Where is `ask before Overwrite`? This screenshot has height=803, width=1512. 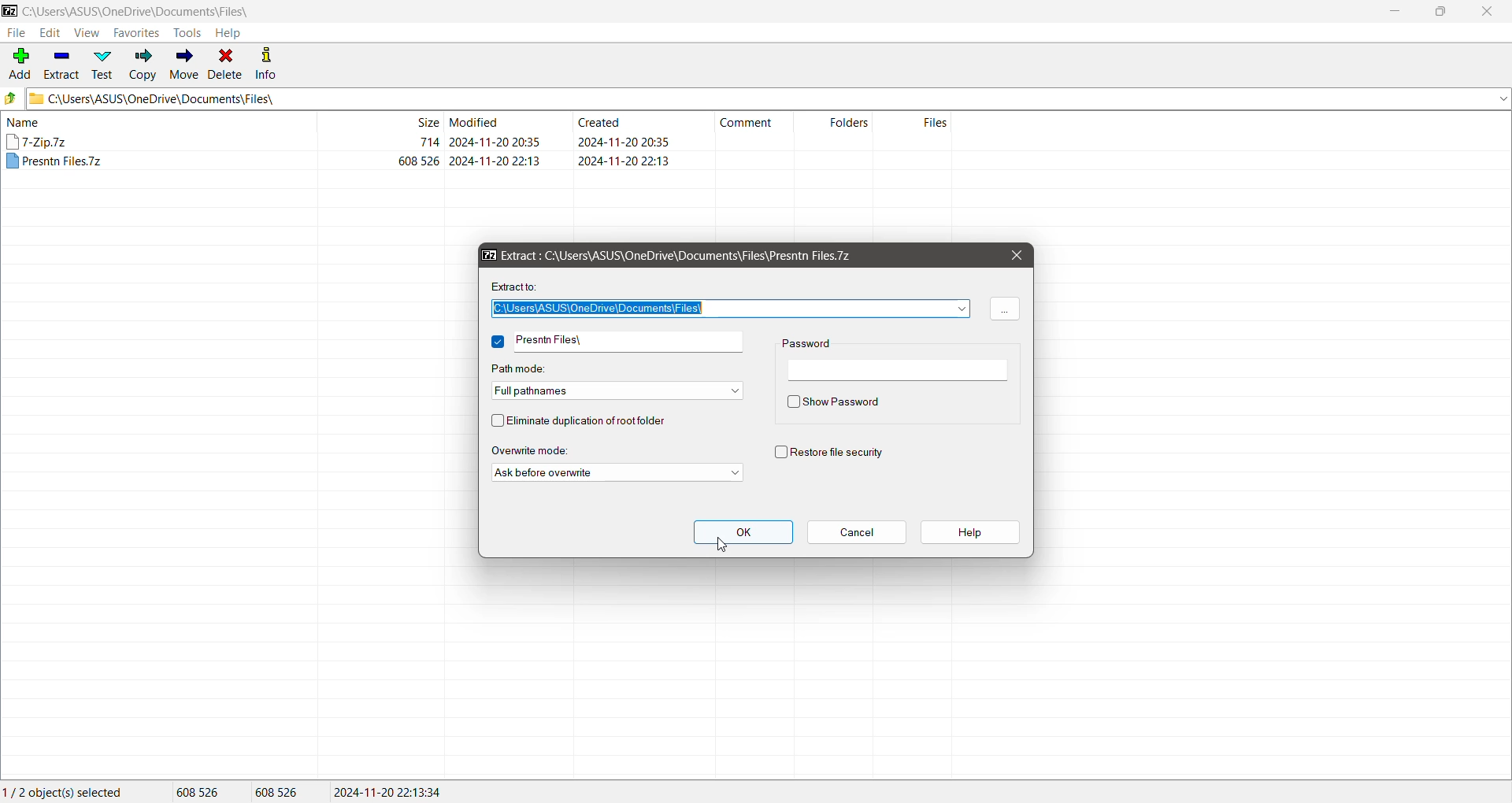 ask before Overwrite is located at coordinates (617, 472).